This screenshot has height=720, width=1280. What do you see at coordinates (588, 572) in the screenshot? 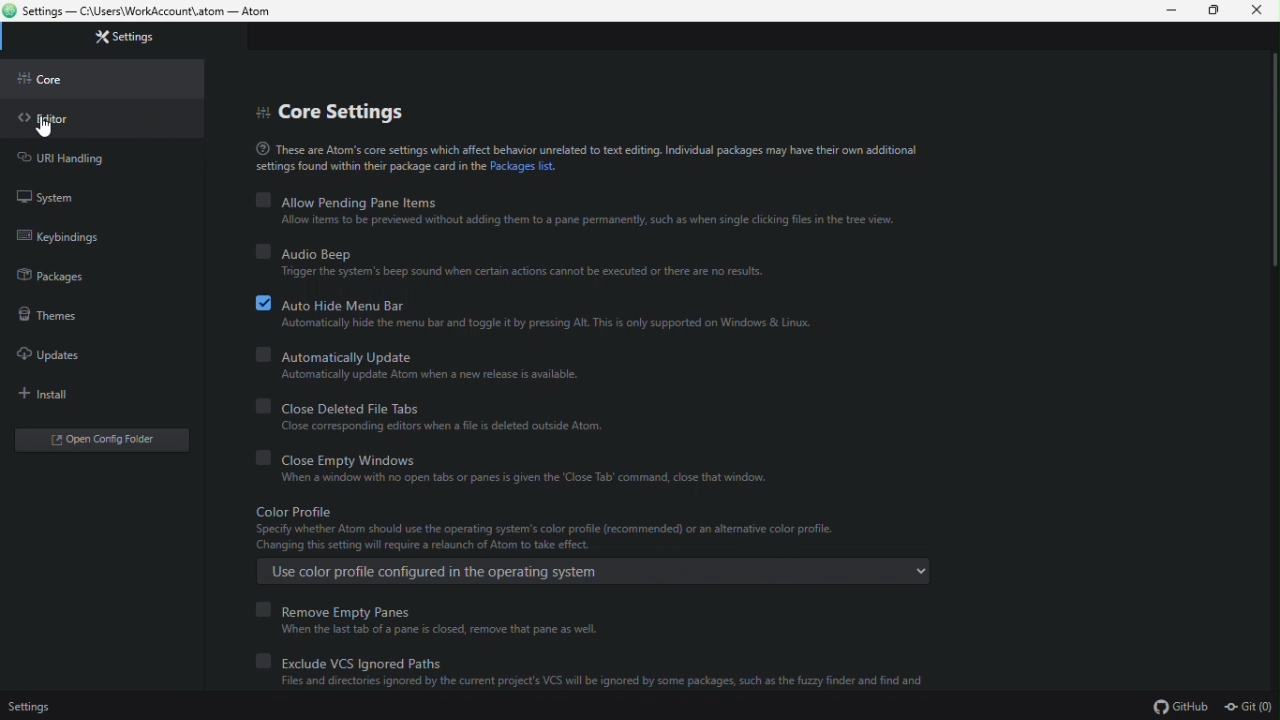
I see `Use color profile configured in the operating system ` at bounding box center [588, 572].